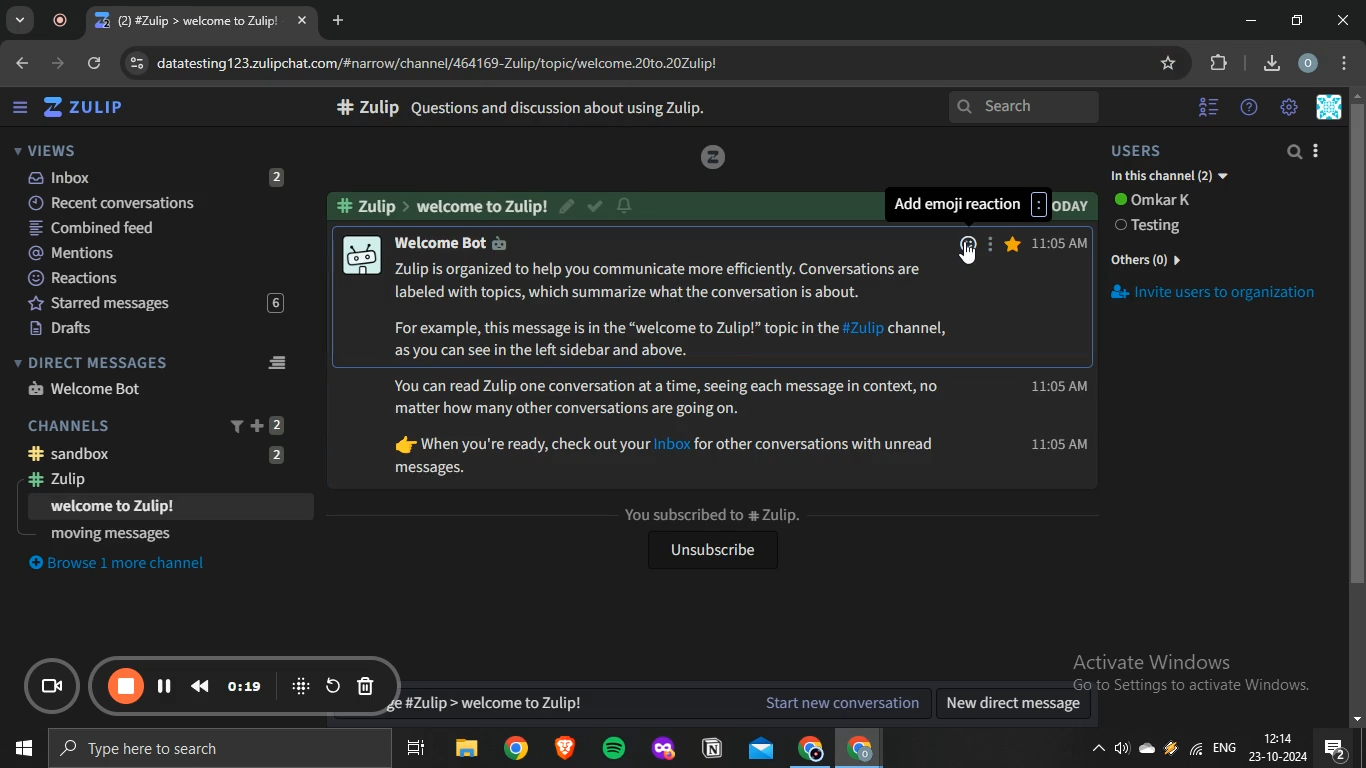  What do you see at coordinates (20, 21) in the screenshot?
I see `search tab` at bounding box center [20, 21].